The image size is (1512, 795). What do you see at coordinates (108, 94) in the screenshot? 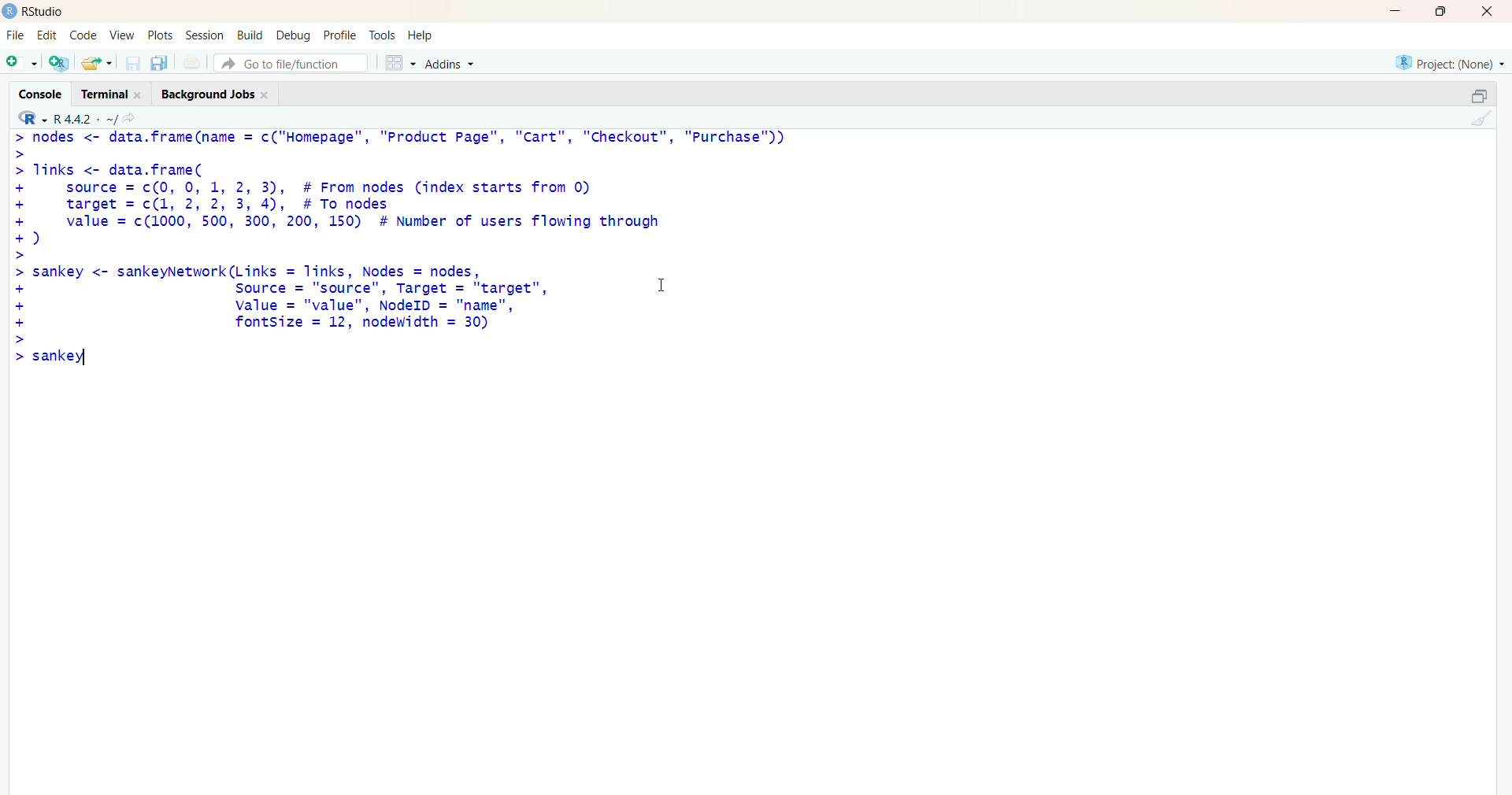
I see `terminal` at bounding box center [108, 94].